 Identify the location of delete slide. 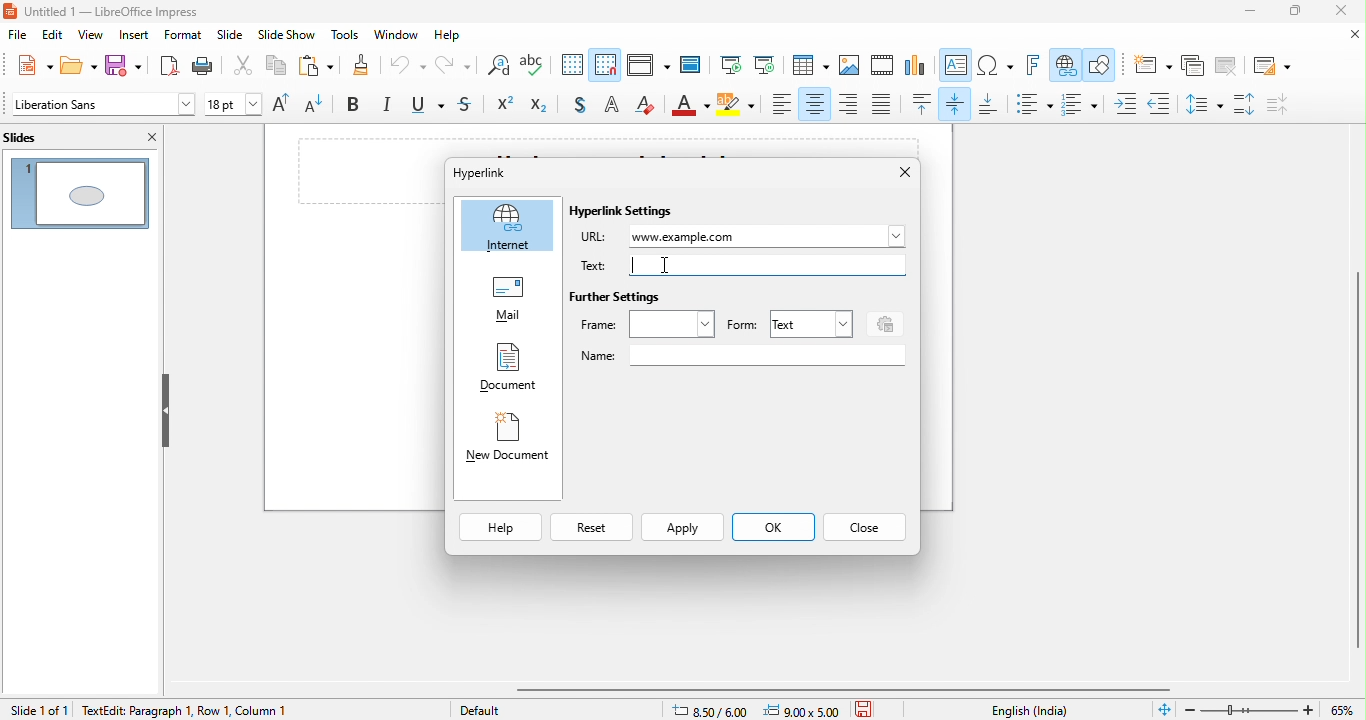
(1226, 66).